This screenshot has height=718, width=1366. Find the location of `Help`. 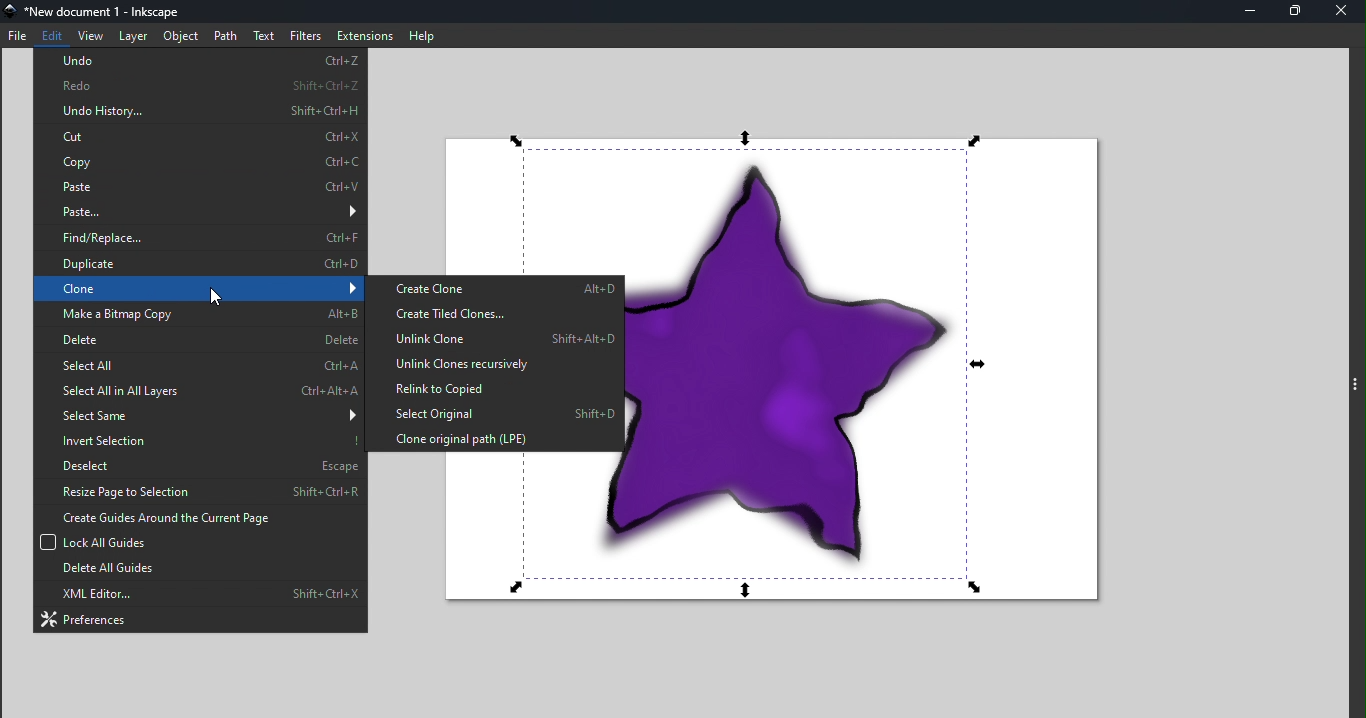

Help is located at coordinates (422, 34).